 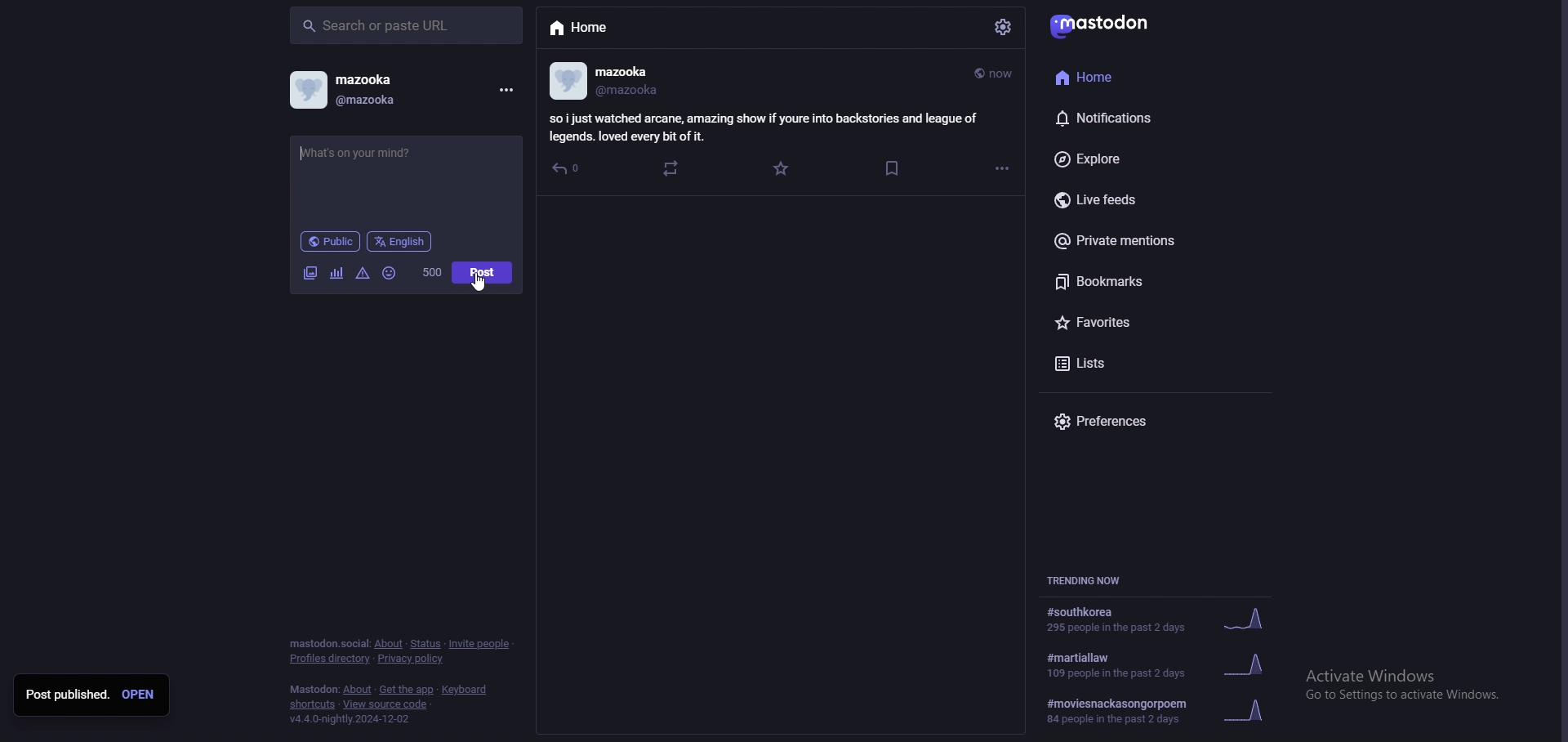 I want to click on trending, so click(x=1158, y=619).